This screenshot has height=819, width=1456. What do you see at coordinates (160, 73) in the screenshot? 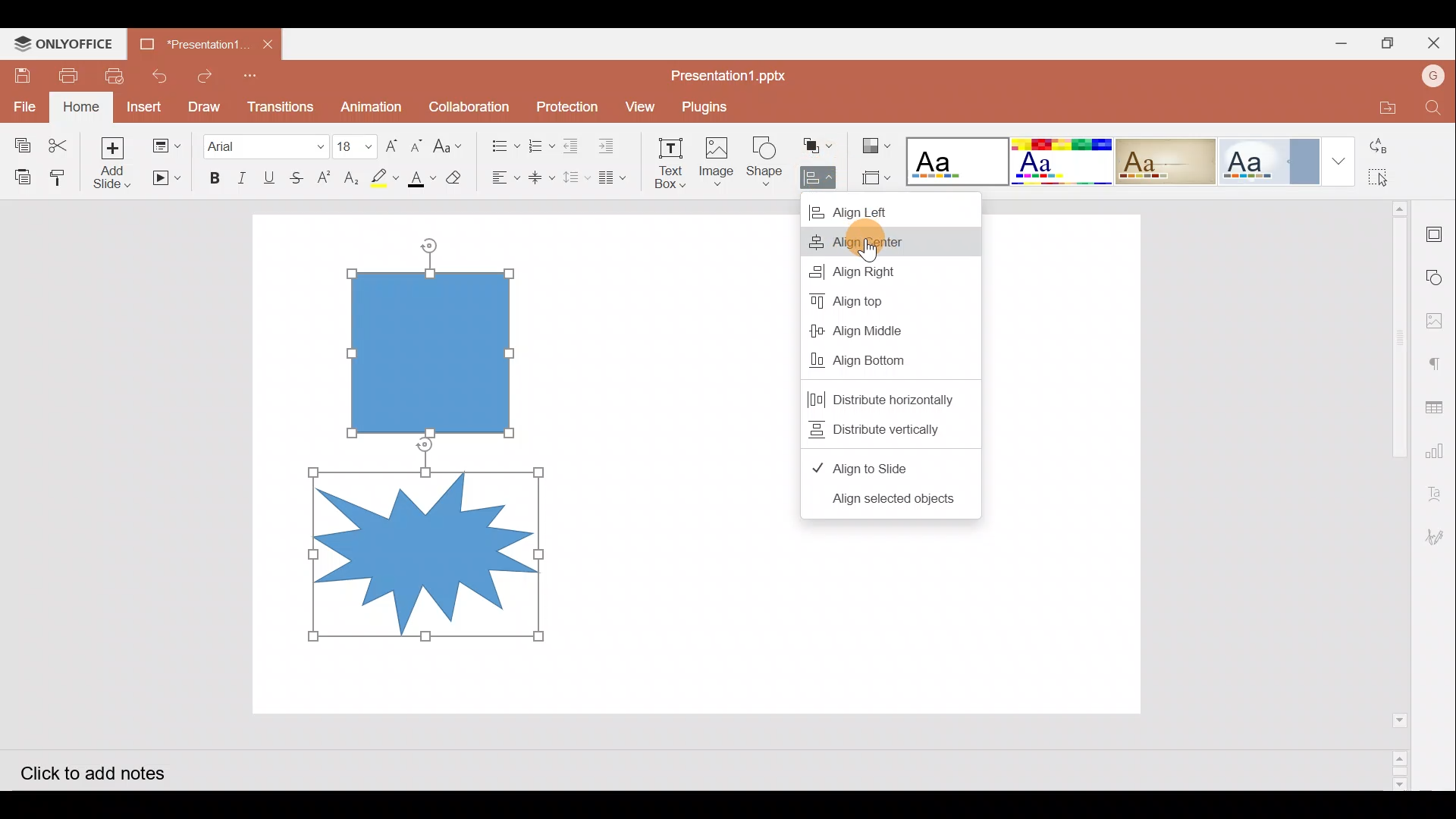
I see `Undo` at bounding box center [160, 73].